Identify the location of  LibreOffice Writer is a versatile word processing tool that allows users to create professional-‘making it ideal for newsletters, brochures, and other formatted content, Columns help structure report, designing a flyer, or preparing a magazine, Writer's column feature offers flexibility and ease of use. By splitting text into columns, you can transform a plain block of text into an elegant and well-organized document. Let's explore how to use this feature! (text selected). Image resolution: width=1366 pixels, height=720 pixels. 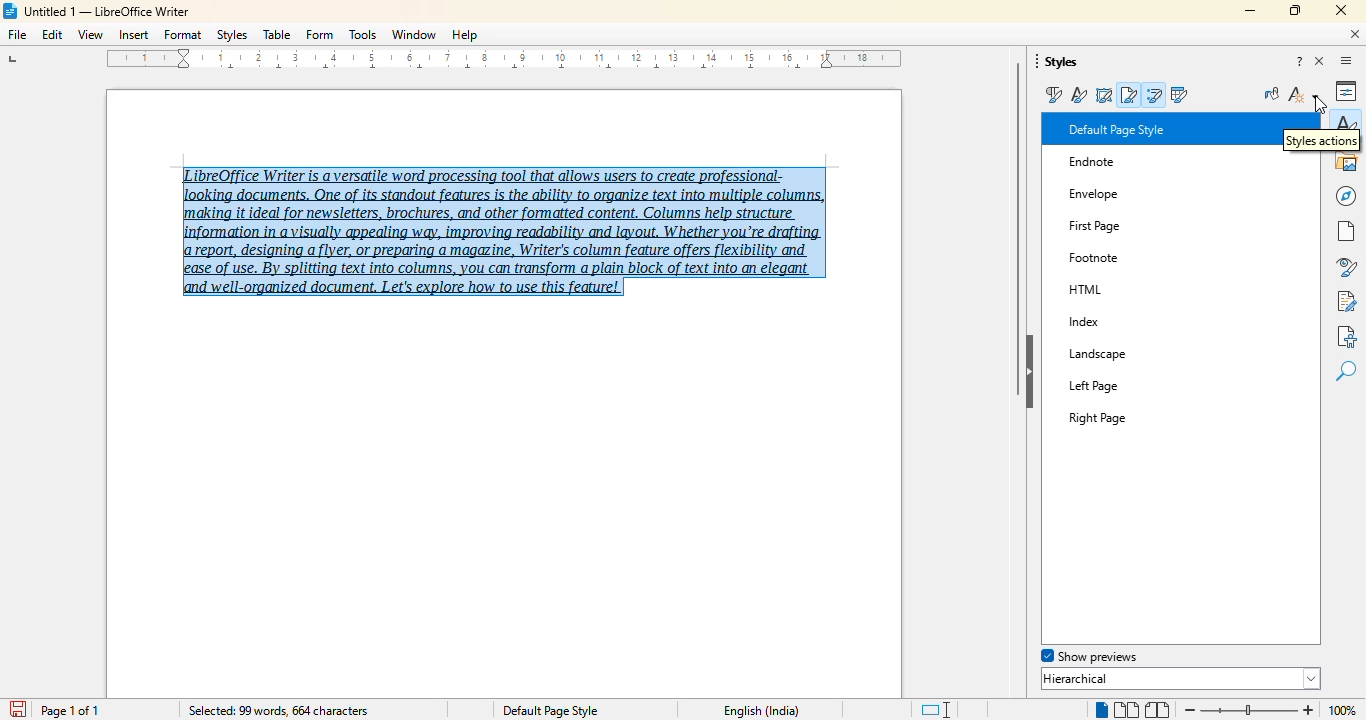
(503, 225).